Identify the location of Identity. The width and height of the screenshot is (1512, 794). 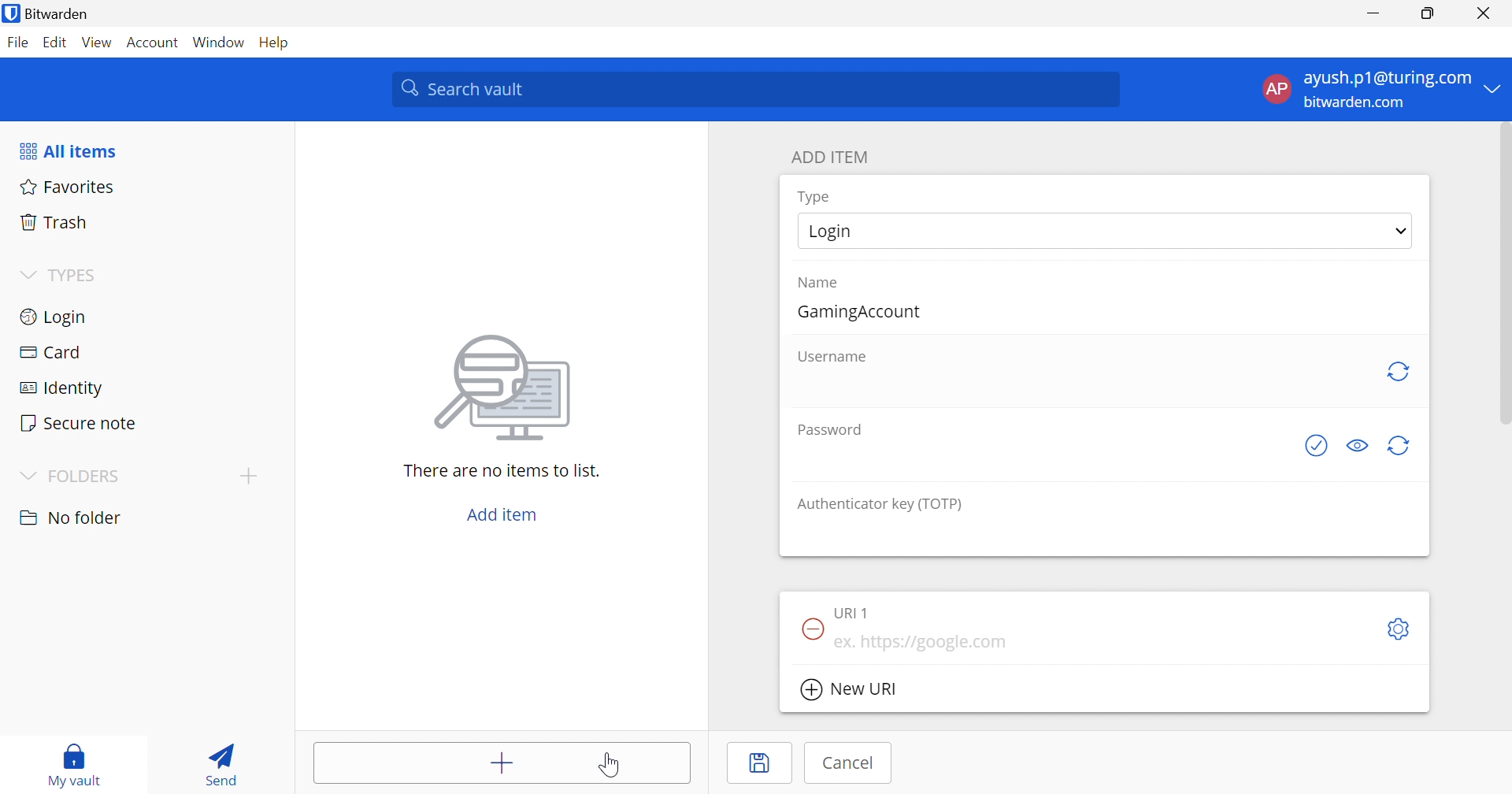
(63, 390).